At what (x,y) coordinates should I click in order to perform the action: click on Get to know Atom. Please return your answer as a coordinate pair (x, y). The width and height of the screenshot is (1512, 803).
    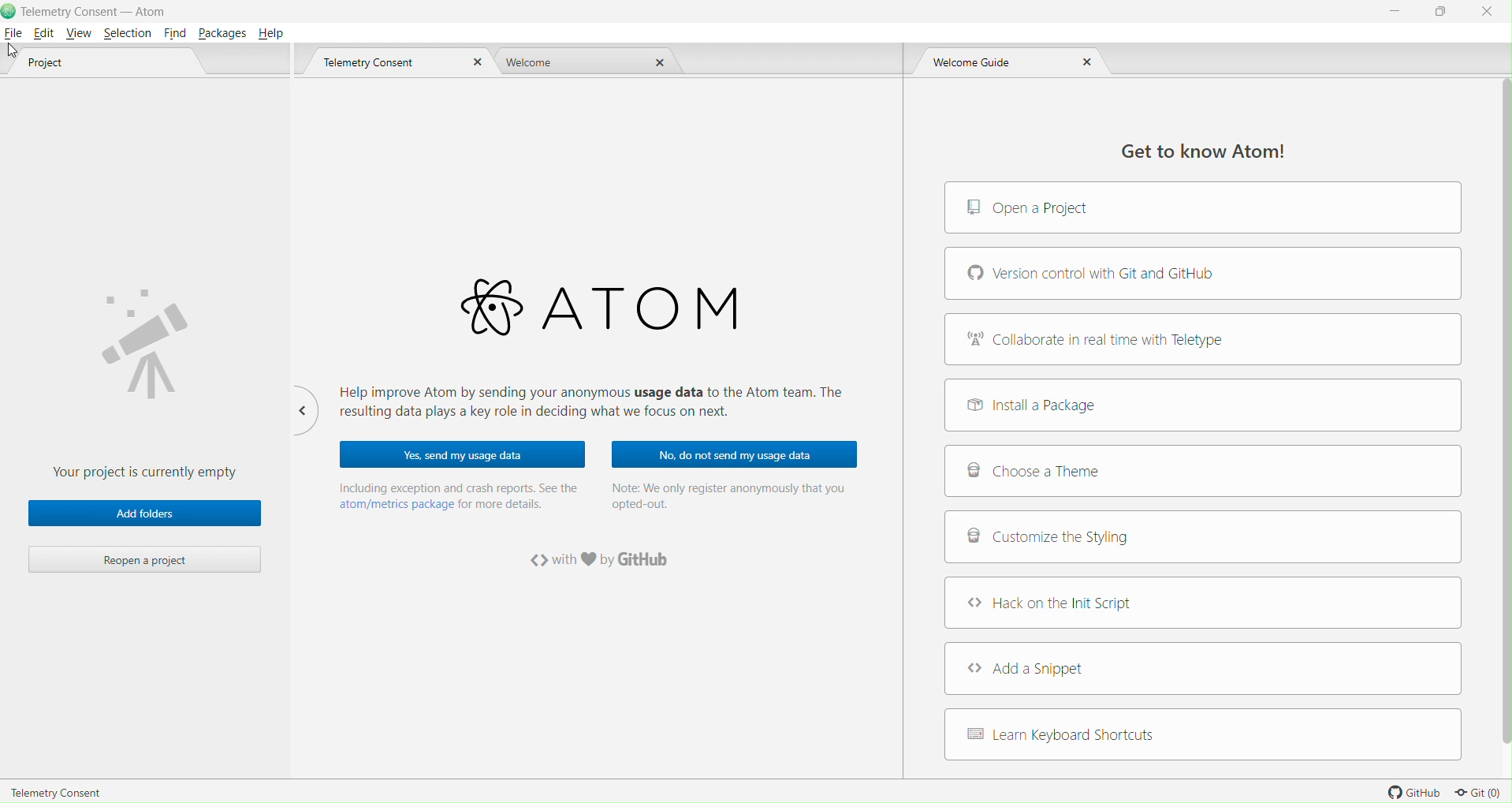
    Looking at the image, I should click on (1195, 149).